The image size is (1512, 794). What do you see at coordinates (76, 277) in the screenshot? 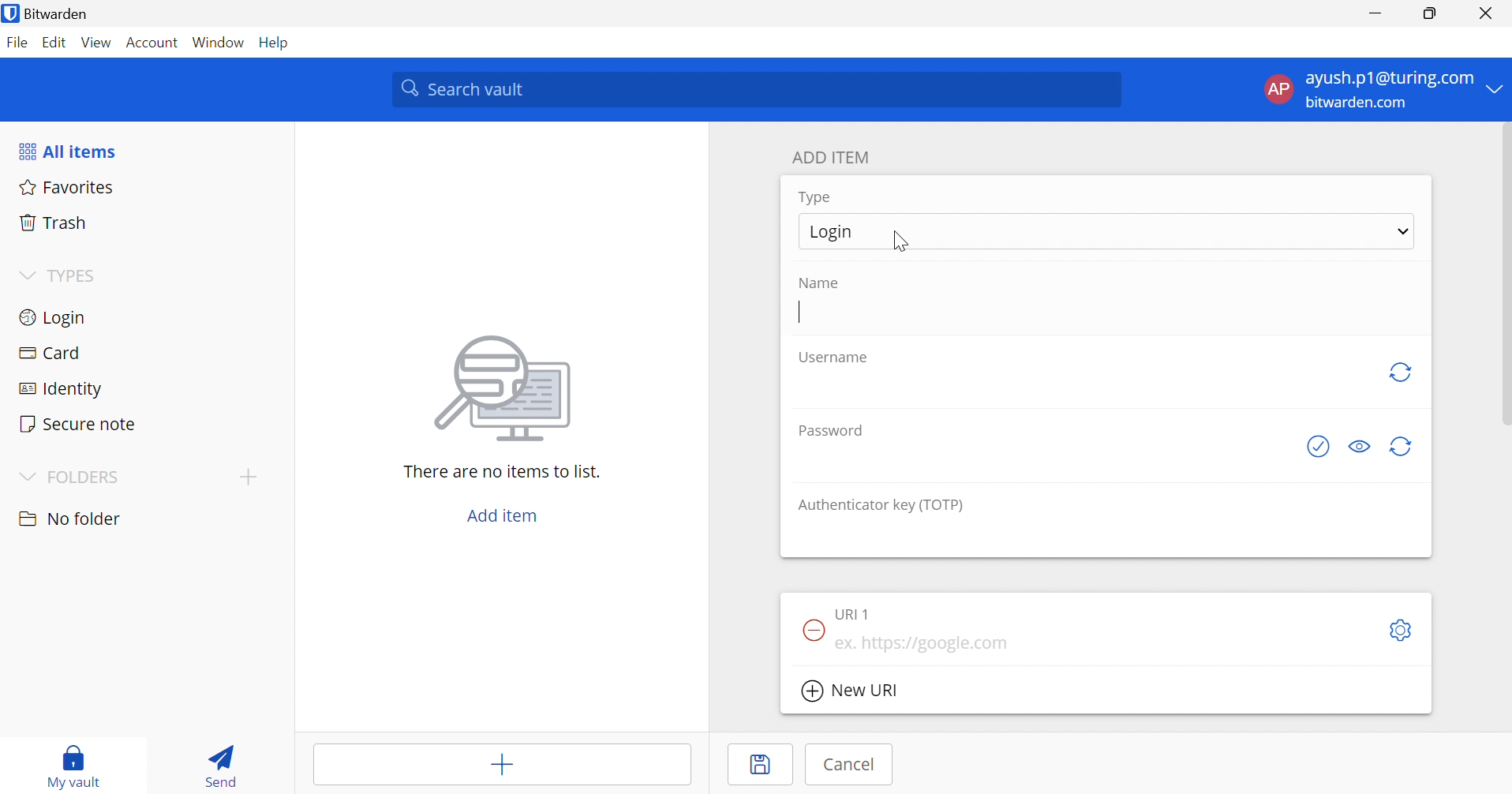
I see `TYPES` at bounding box center [76, 277].